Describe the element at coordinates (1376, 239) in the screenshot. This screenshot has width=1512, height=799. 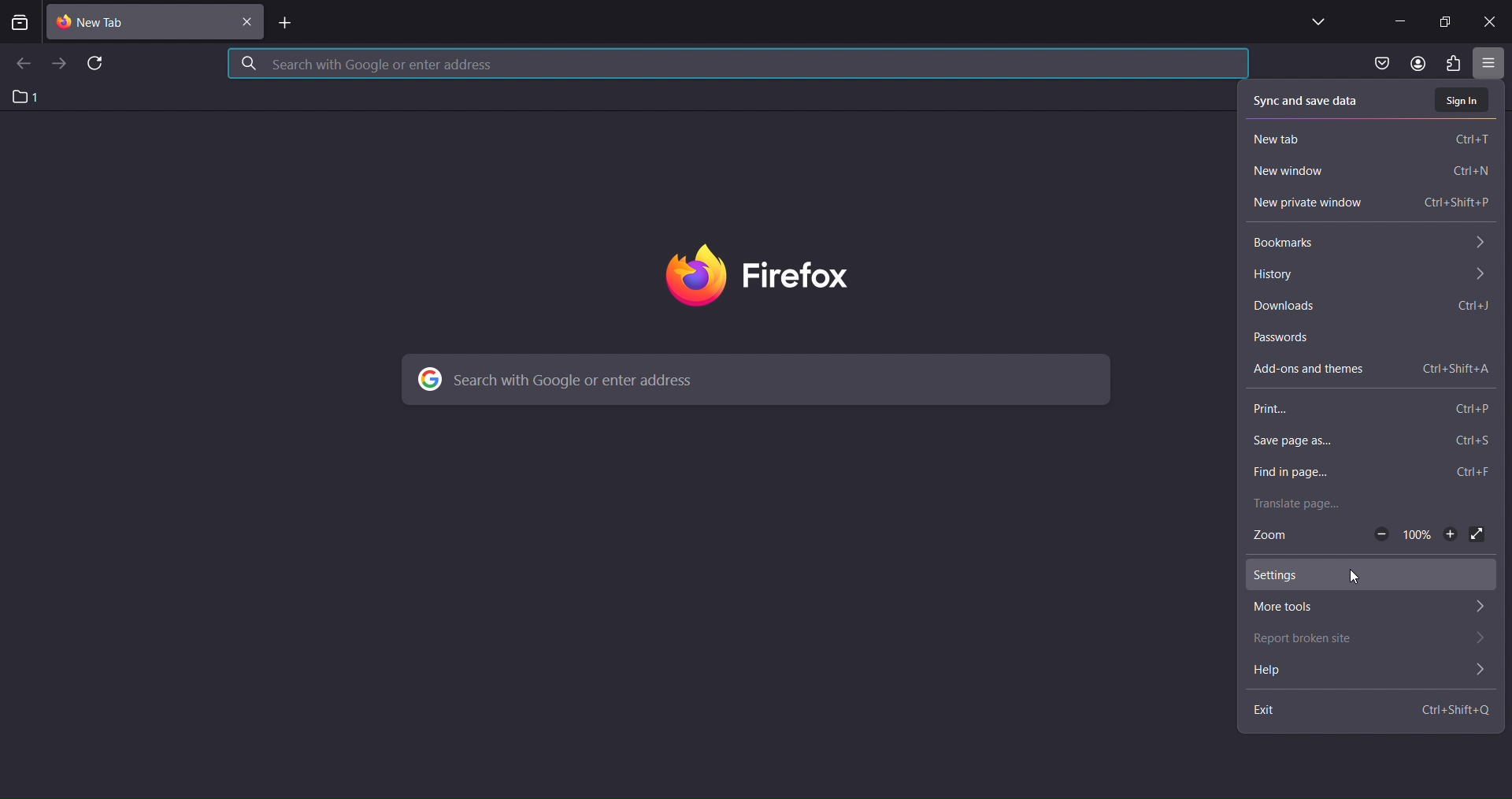
I see `bookmarks` at that location.